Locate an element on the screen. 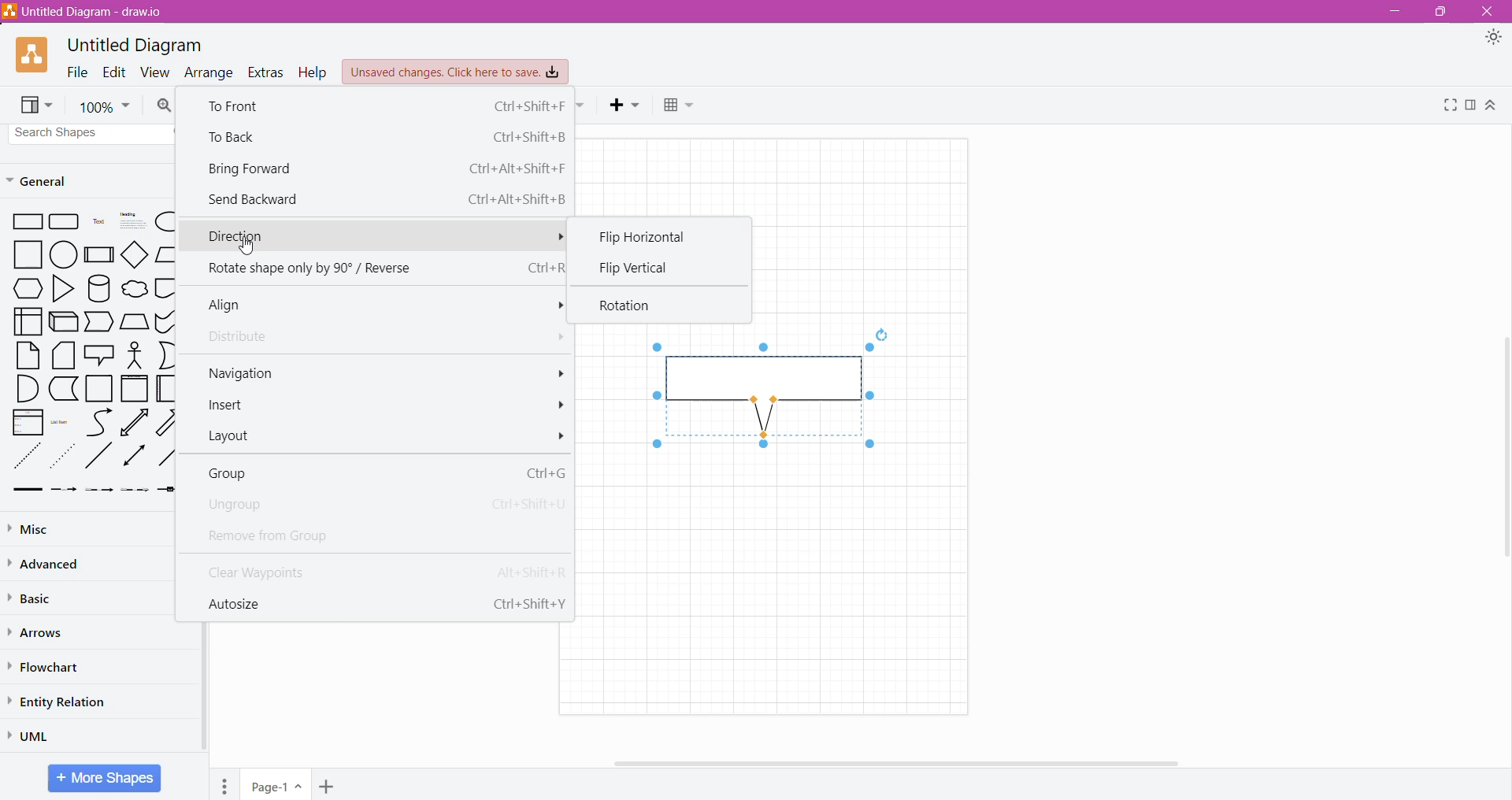 This screenshot has height=800, width=1512. Restore Down is located at coordinates (1439, 12).